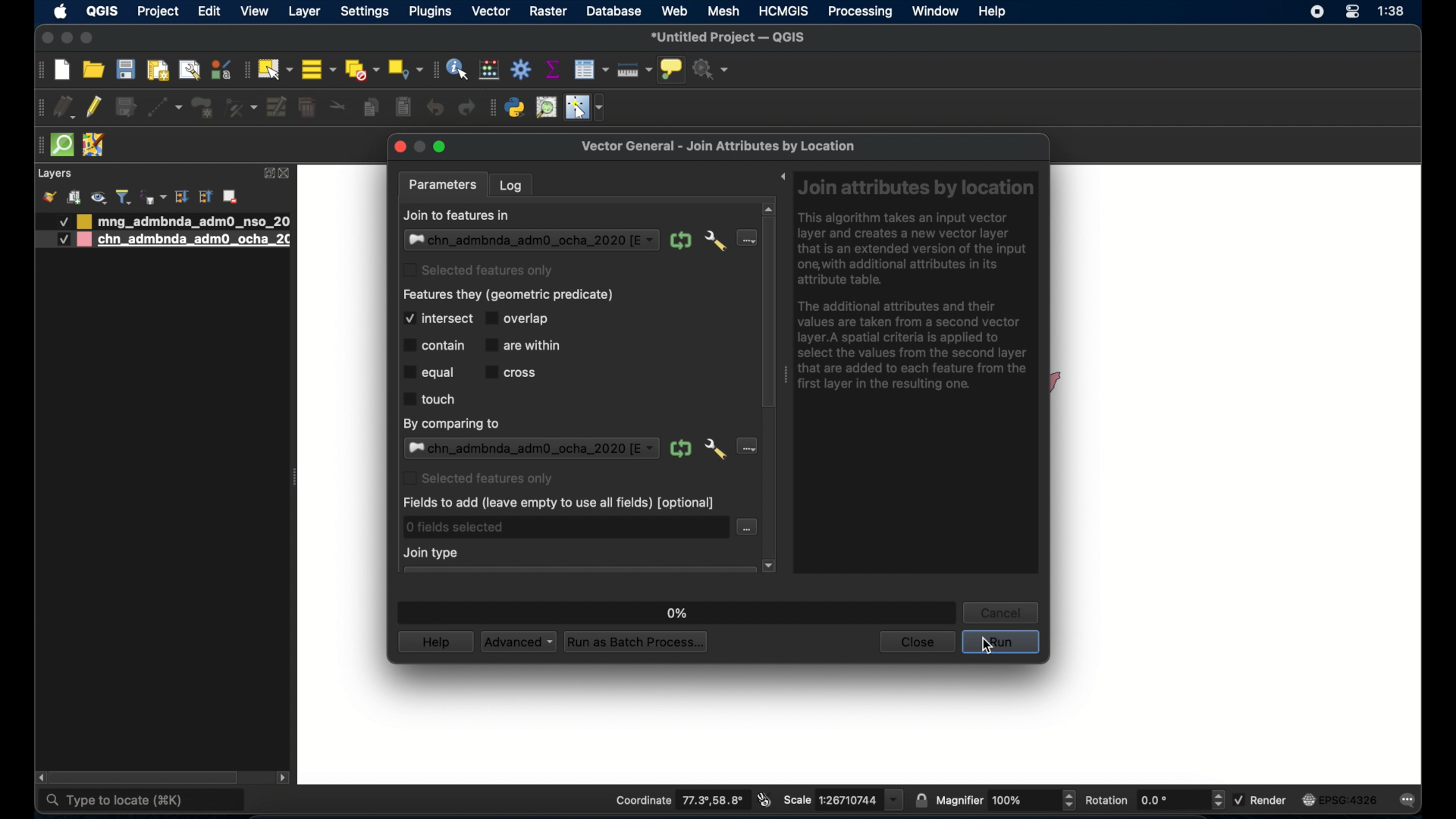 The height and width of the screenshot is (819, 1456). Describe the element at coordinates (483, 271) in the screenshot. I see `selected features only` at that location.